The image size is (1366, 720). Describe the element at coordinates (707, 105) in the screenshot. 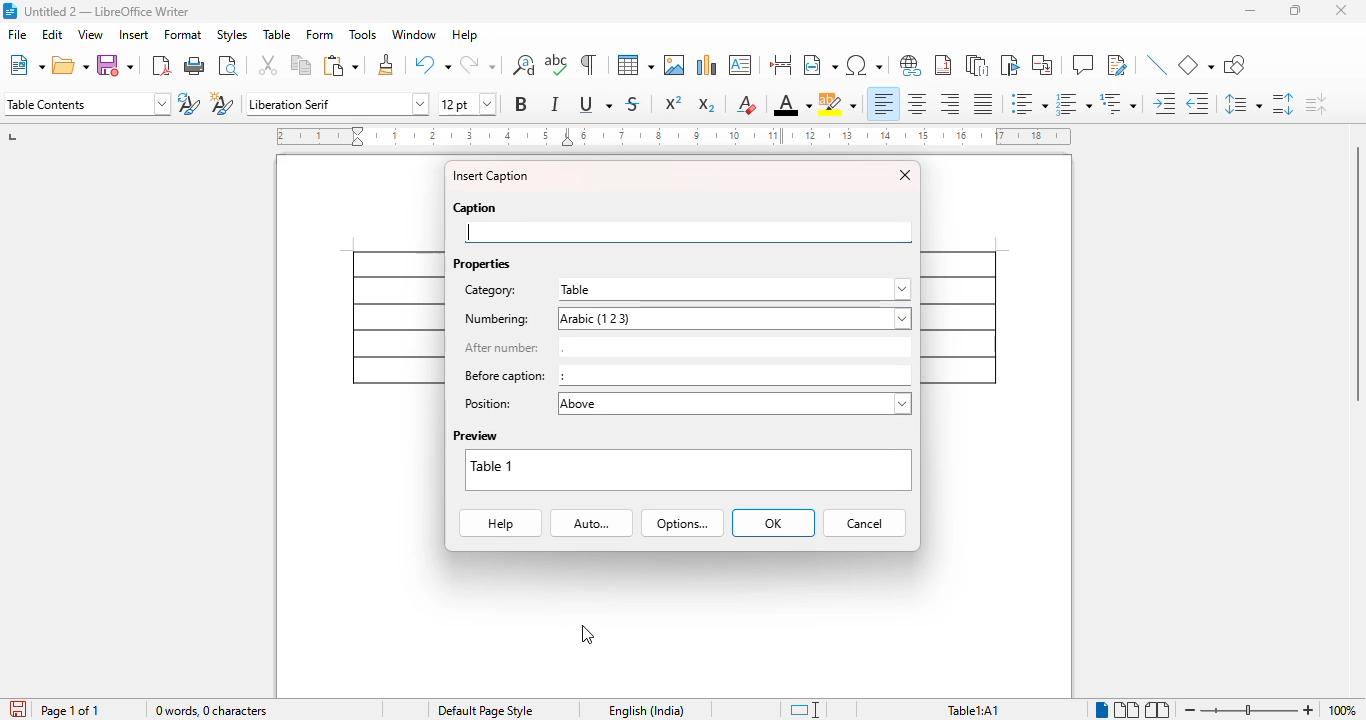

I see `subscript` at that location.